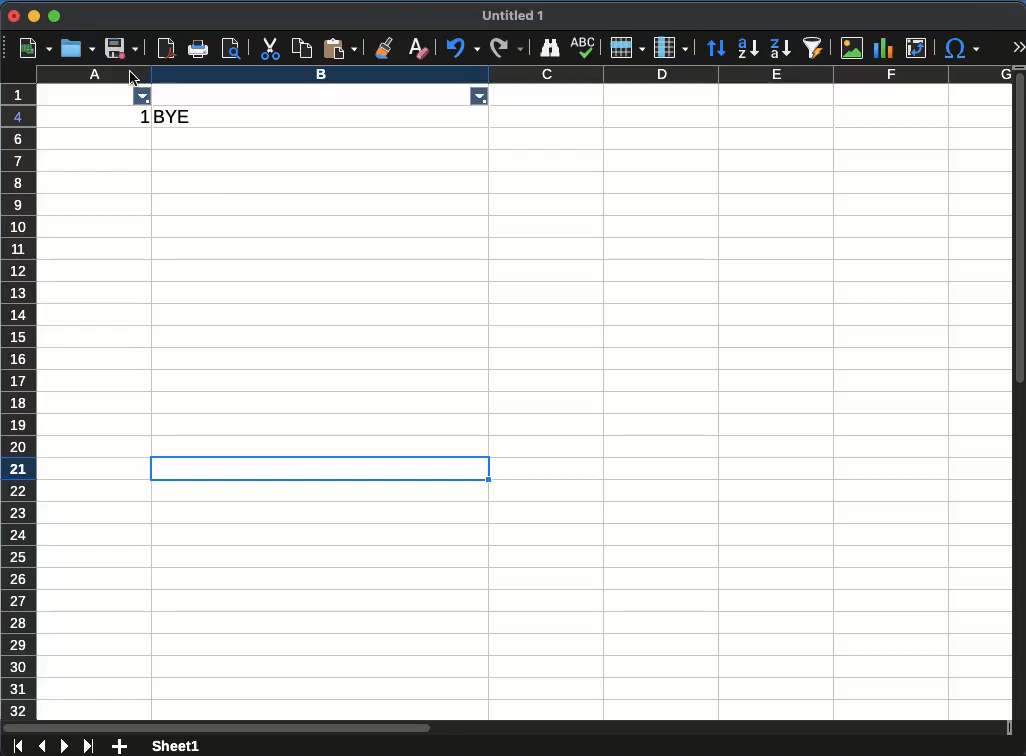 The width and height of the screenshot is (1026, 756). What do you see at coordinates (747, 48) in the screenshot?
I see `ascending` at bounding box center [747, 48].